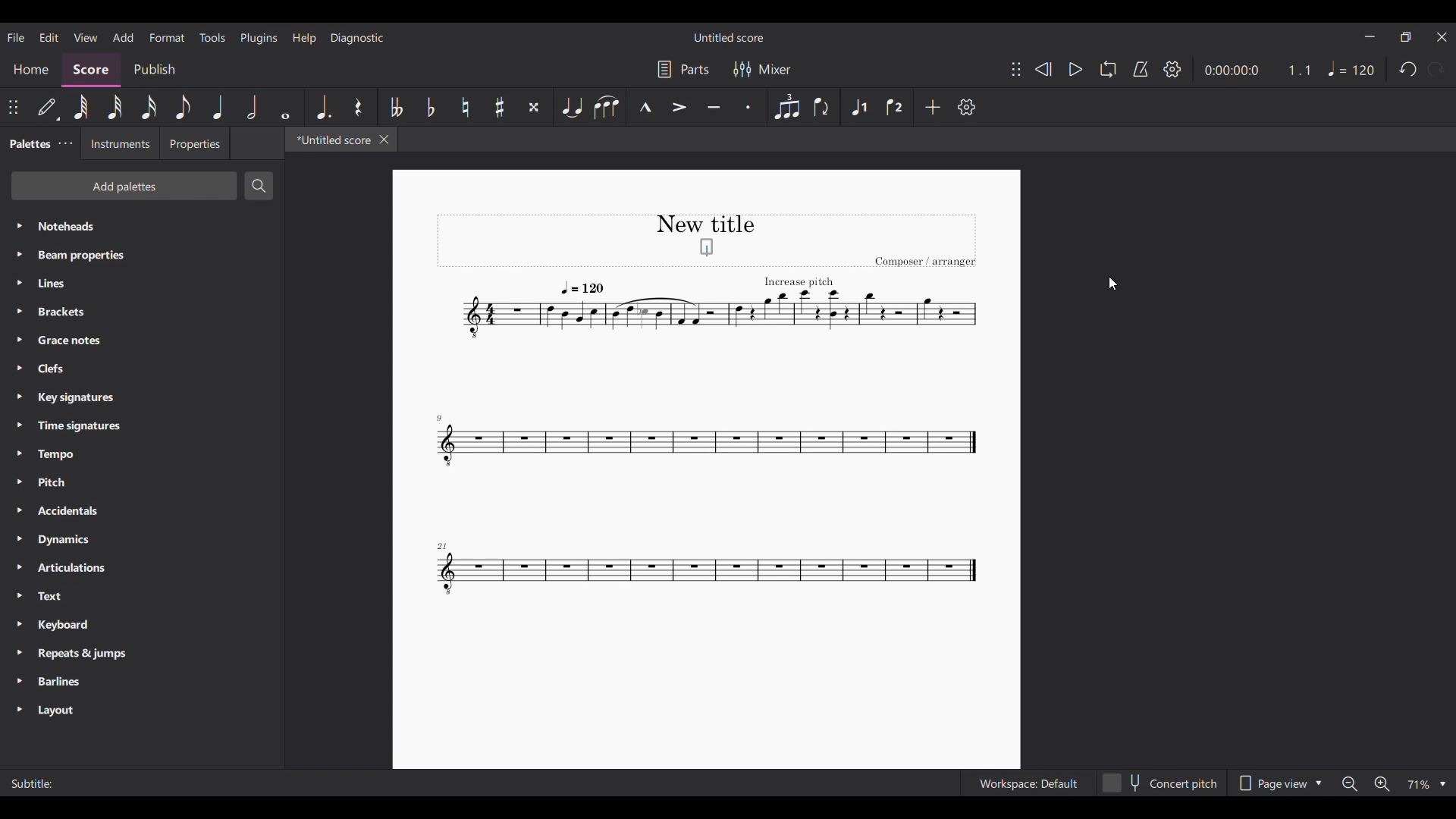 The width and height of the screenshot is (1456, 819). I want to click on Close interface, so click(1442, 38).